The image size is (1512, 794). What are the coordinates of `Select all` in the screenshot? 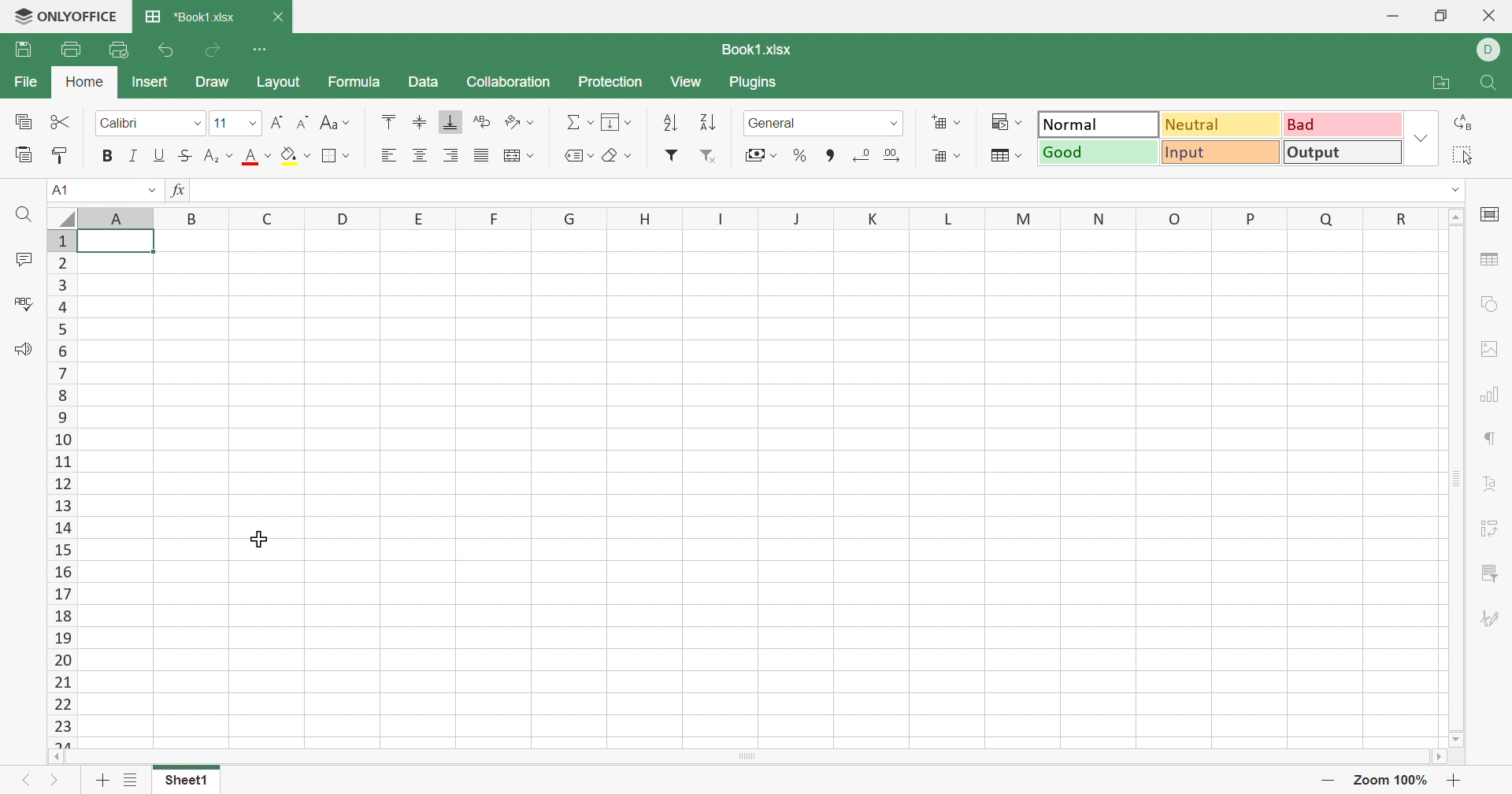 It's located at (1465, 153).